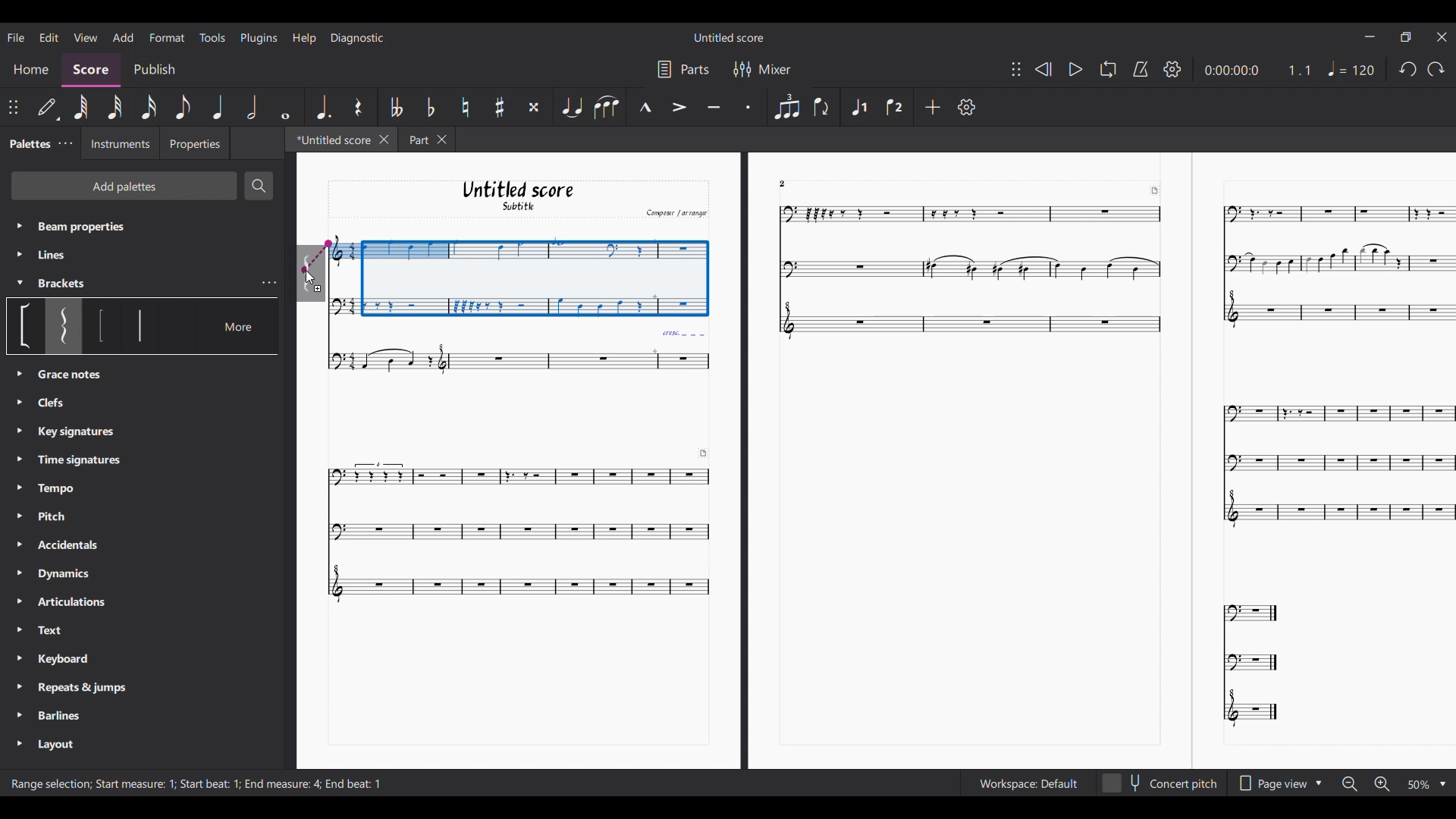  Describe the element at coordinates (1075, 70) in the screenshot. I see `Play` at that location.